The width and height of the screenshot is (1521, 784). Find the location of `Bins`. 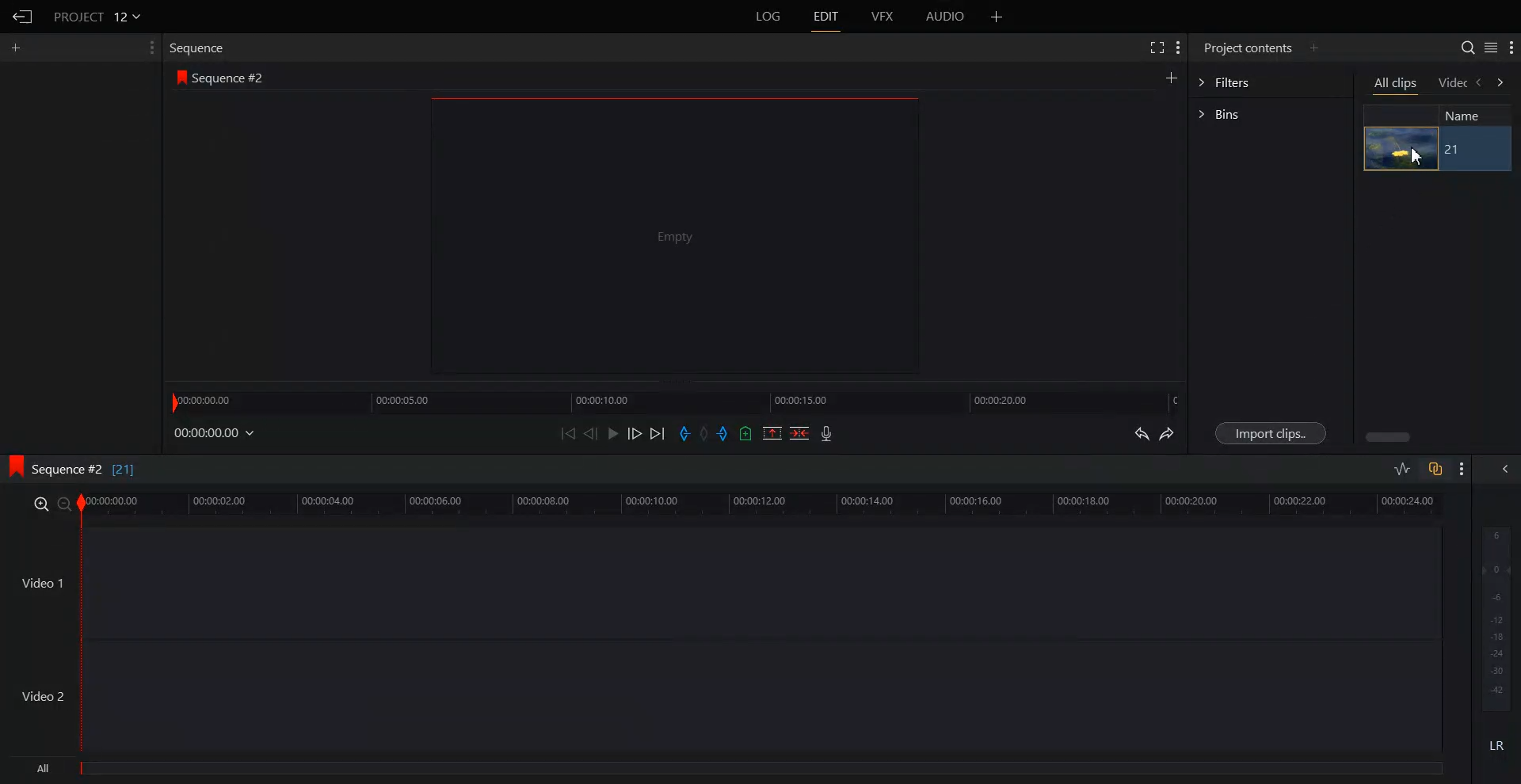

Bins is located at coordinates (1270, 114).